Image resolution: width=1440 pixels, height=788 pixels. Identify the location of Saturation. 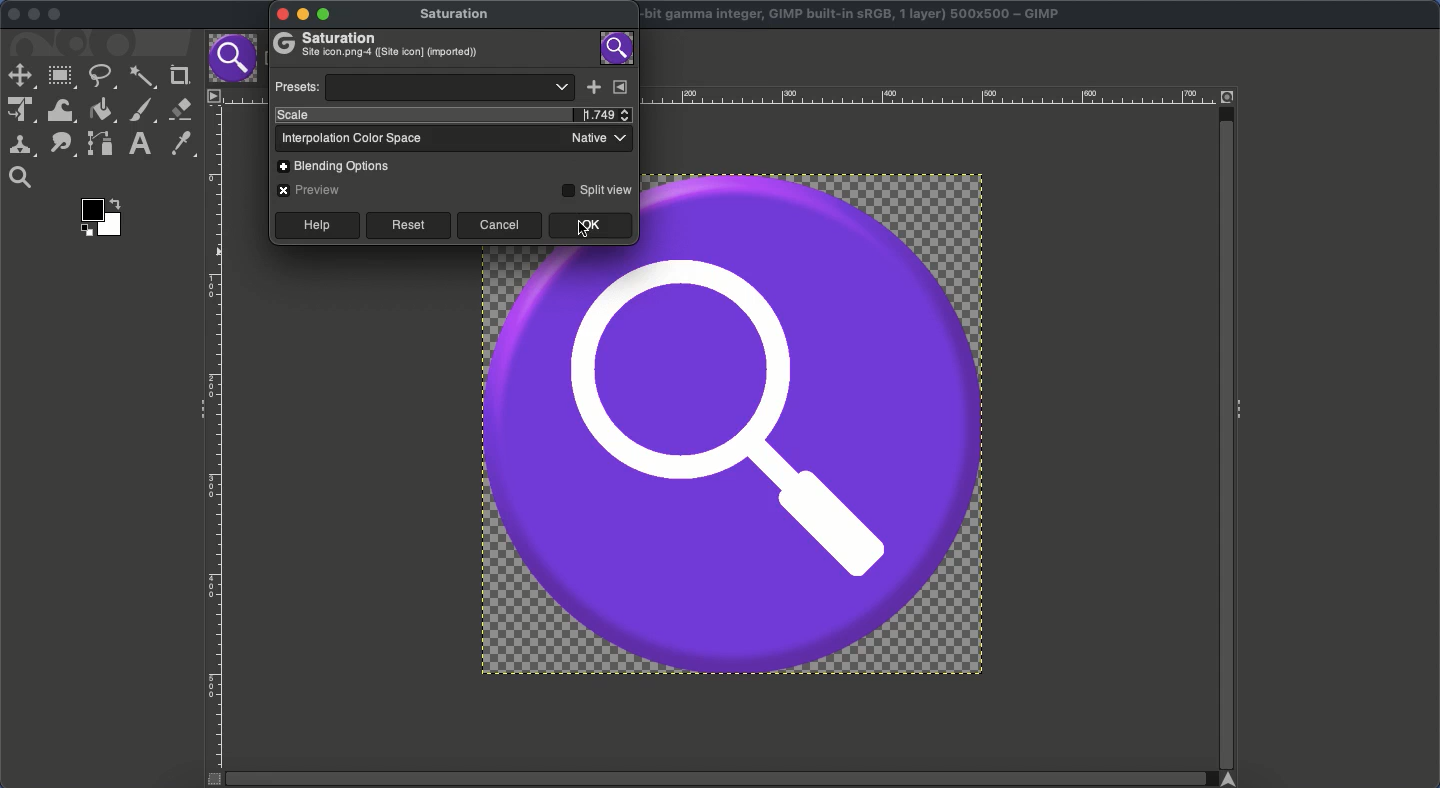
(458, 16).